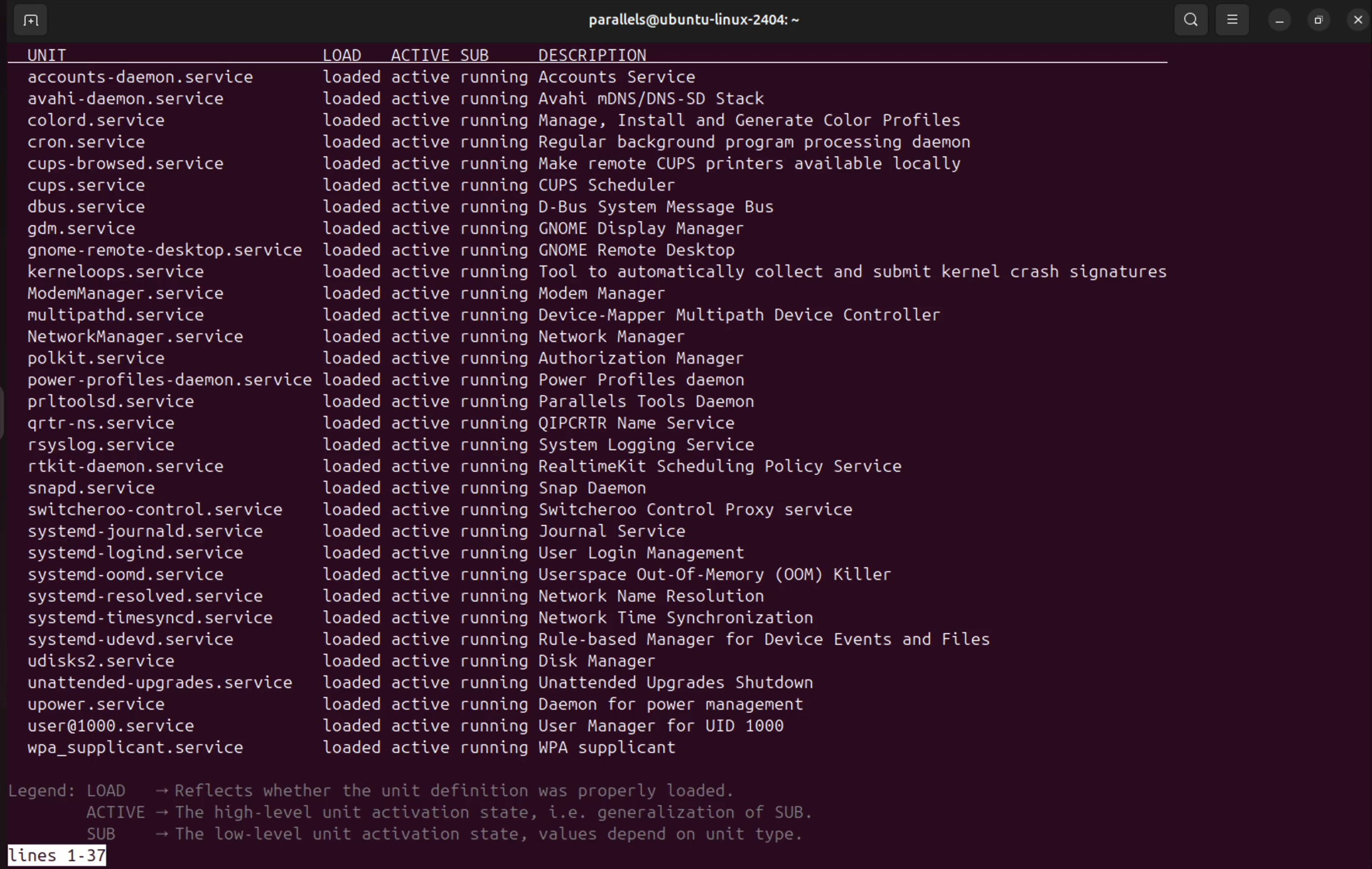  What do you see at coordinates (603, 55) in the screenshot?
I see `Description` at bounding box center [603, 55].